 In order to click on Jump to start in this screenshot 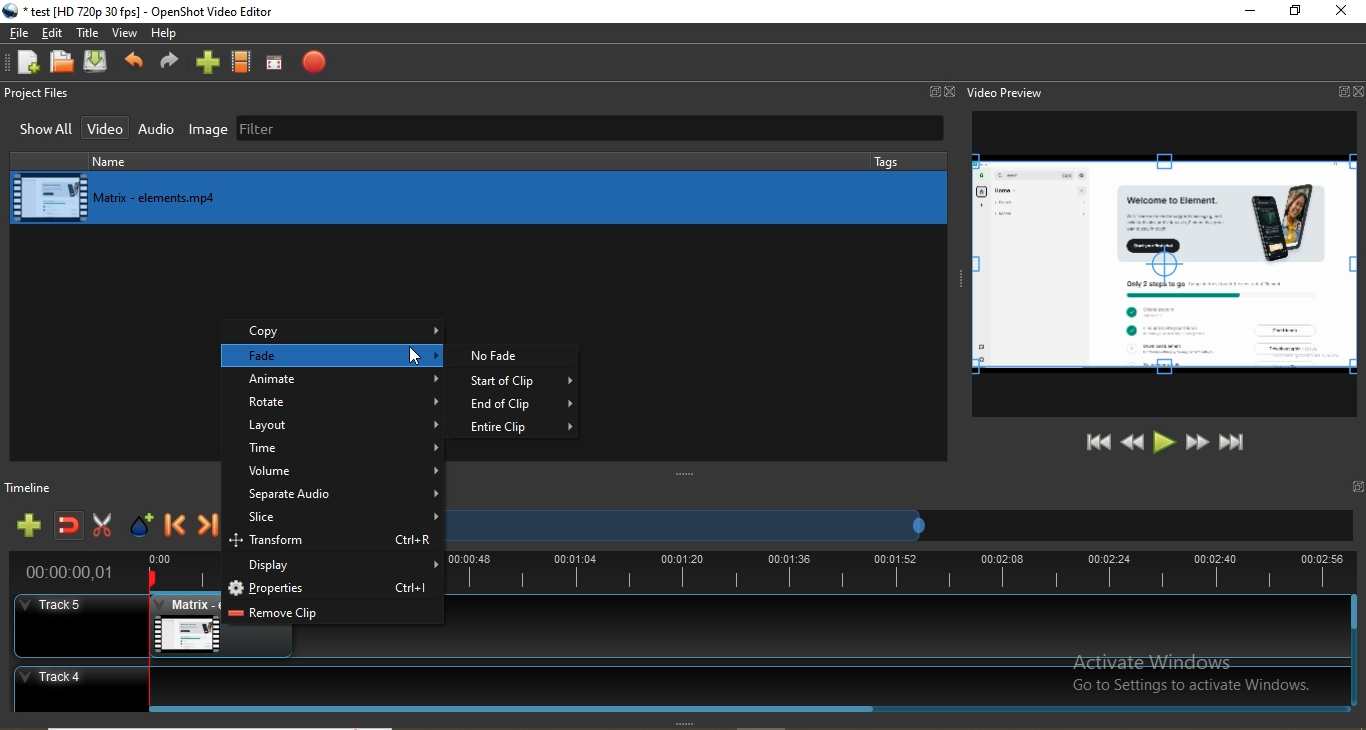, I will do `click(1096, 442)`.